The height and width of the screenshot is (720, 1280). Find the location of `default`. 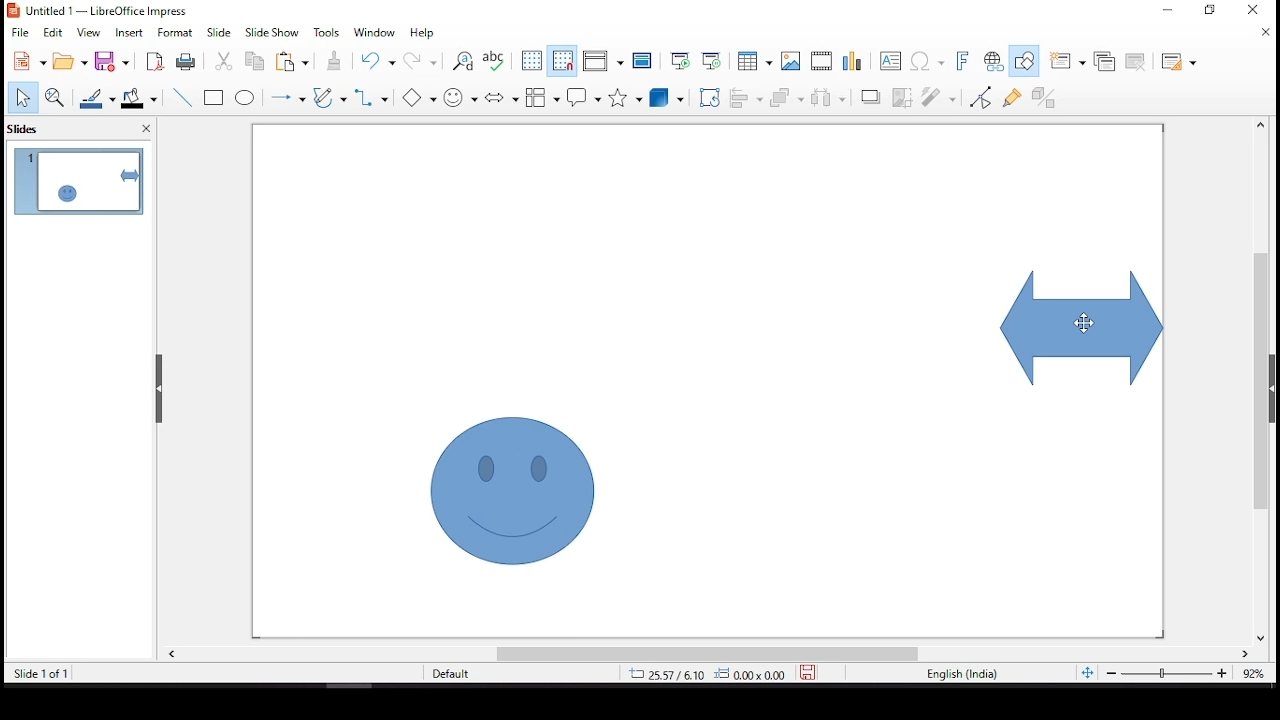

default is located at coordinates (468, 674).